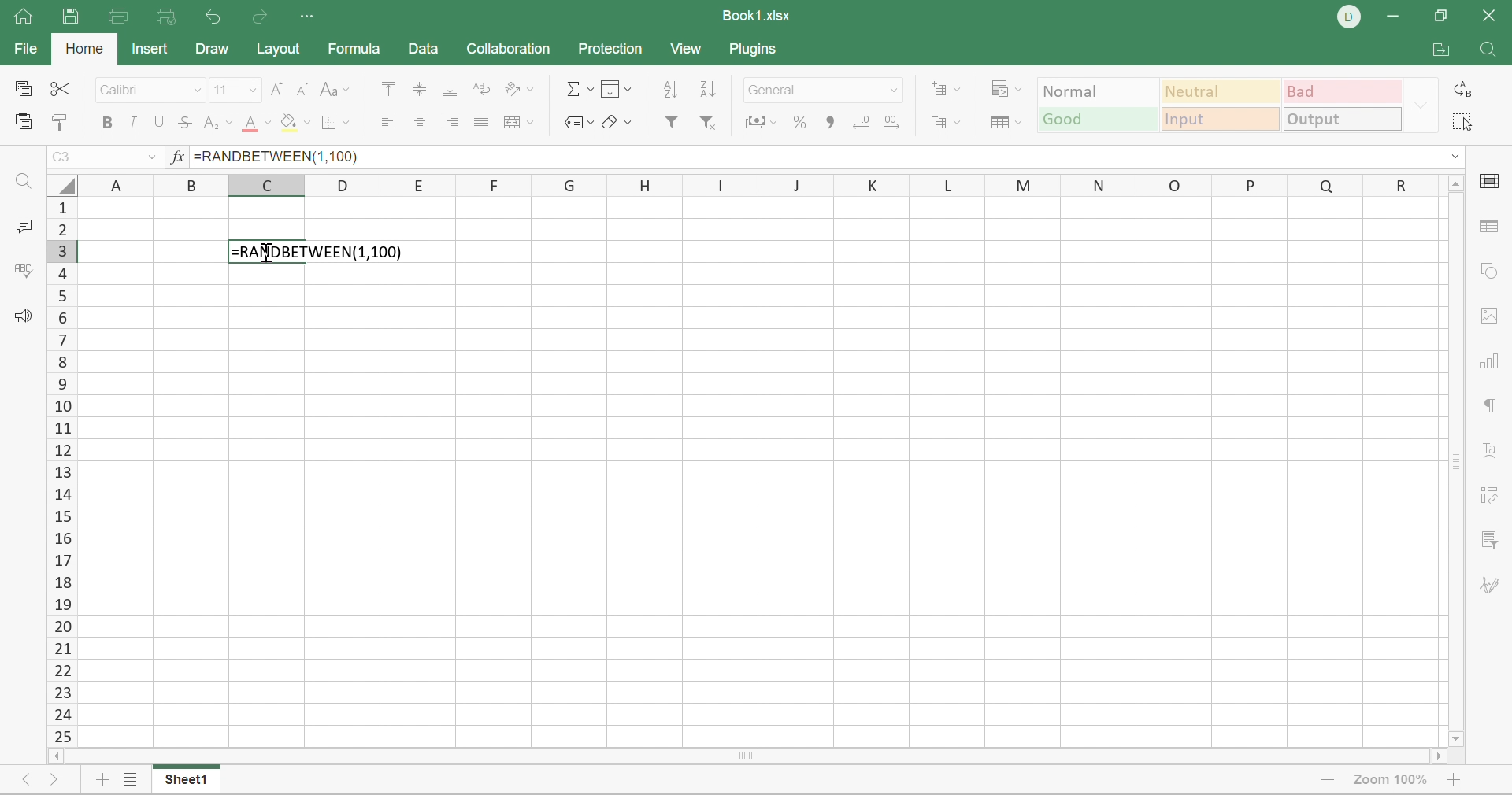 The image size is (1512, 795). Describe the element at coordinates (1492, 542) in the screenshot. I see `slicer settings` at that location.